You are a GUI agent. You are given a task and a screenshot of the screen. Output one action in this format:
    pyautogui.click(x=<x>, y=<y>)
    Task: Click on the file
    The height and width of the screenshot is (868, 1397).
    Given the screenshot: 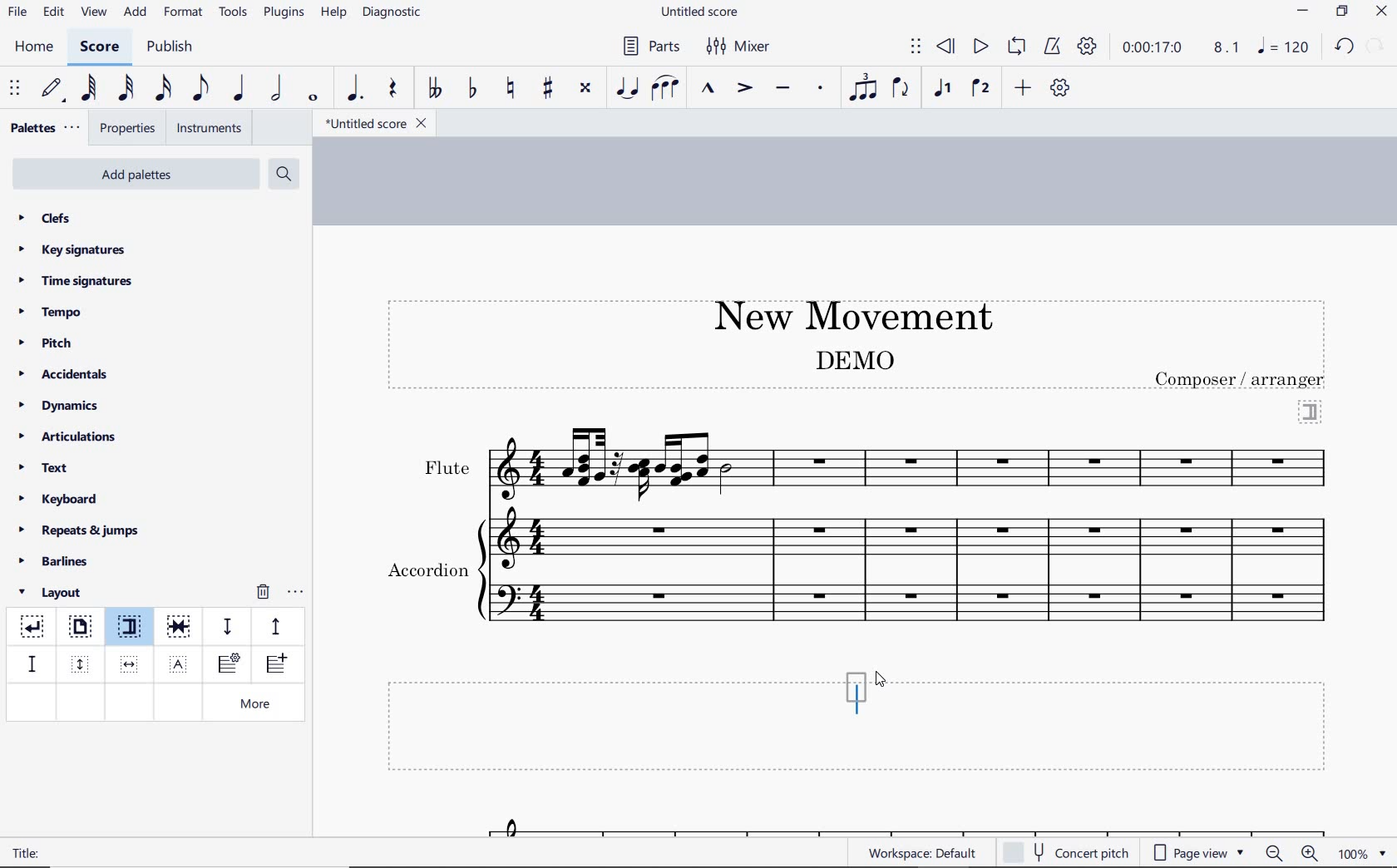 What is the action you would take?
    pyautogui.click(x=17, y=15)
    